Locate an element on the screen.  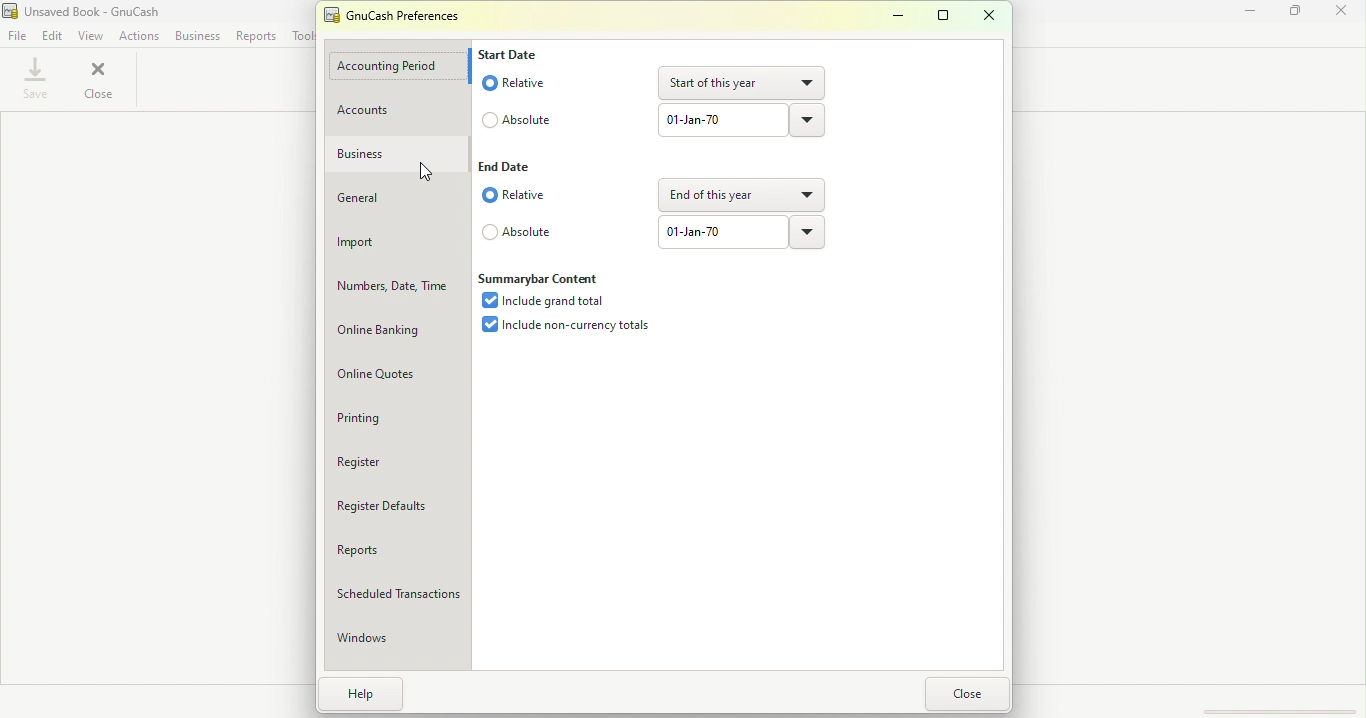
Tools is located at coordinates (300, 34).